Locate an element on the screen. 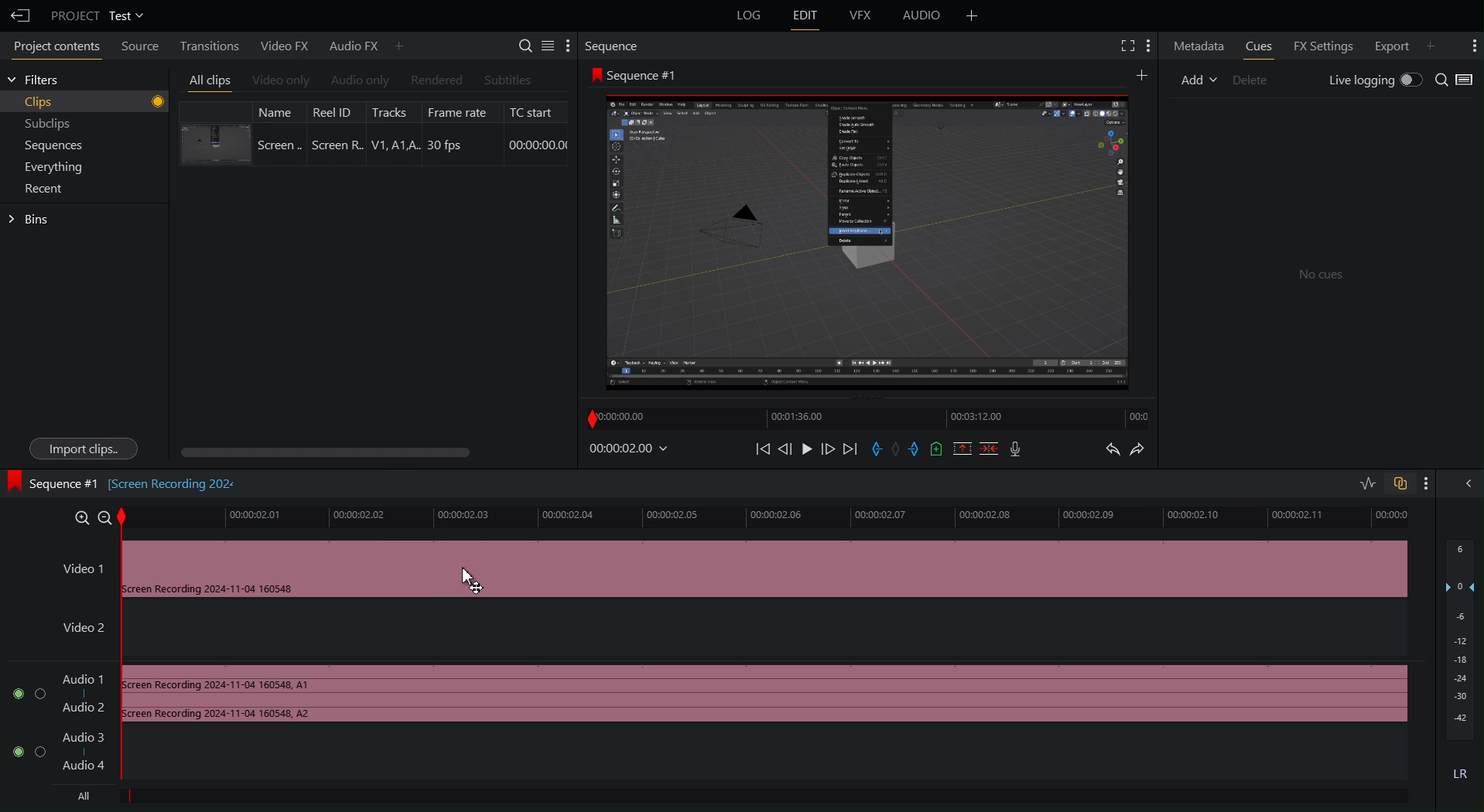 This screenshot has height=812, width=1484. Project Contents is located at coordinates (56, 46).